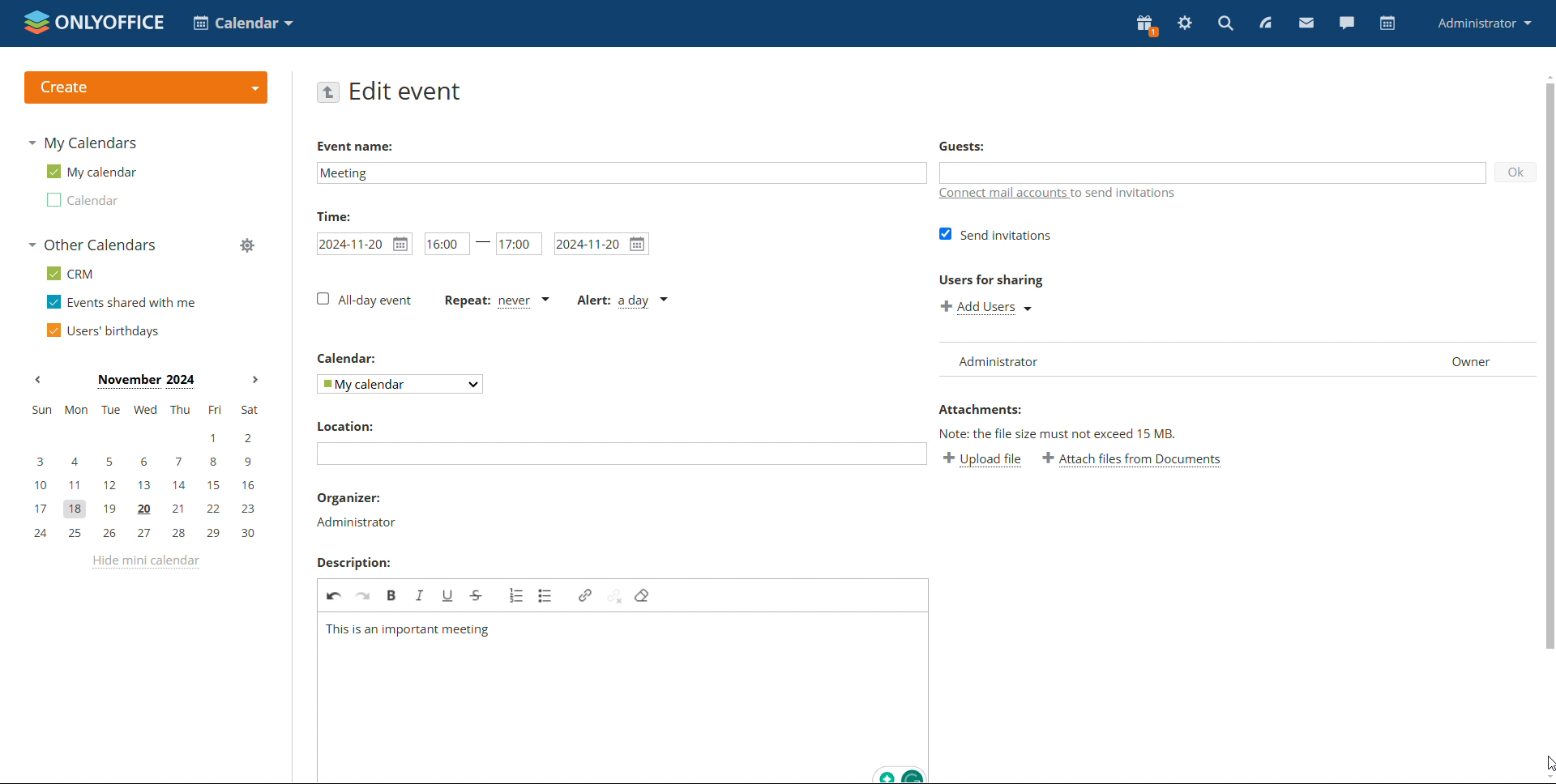 This screenshot has height=784, width=1556. What do you see at coordinates (364, 301) in the screenshot?
I see `all-day event` at bounding box center [364, 301].